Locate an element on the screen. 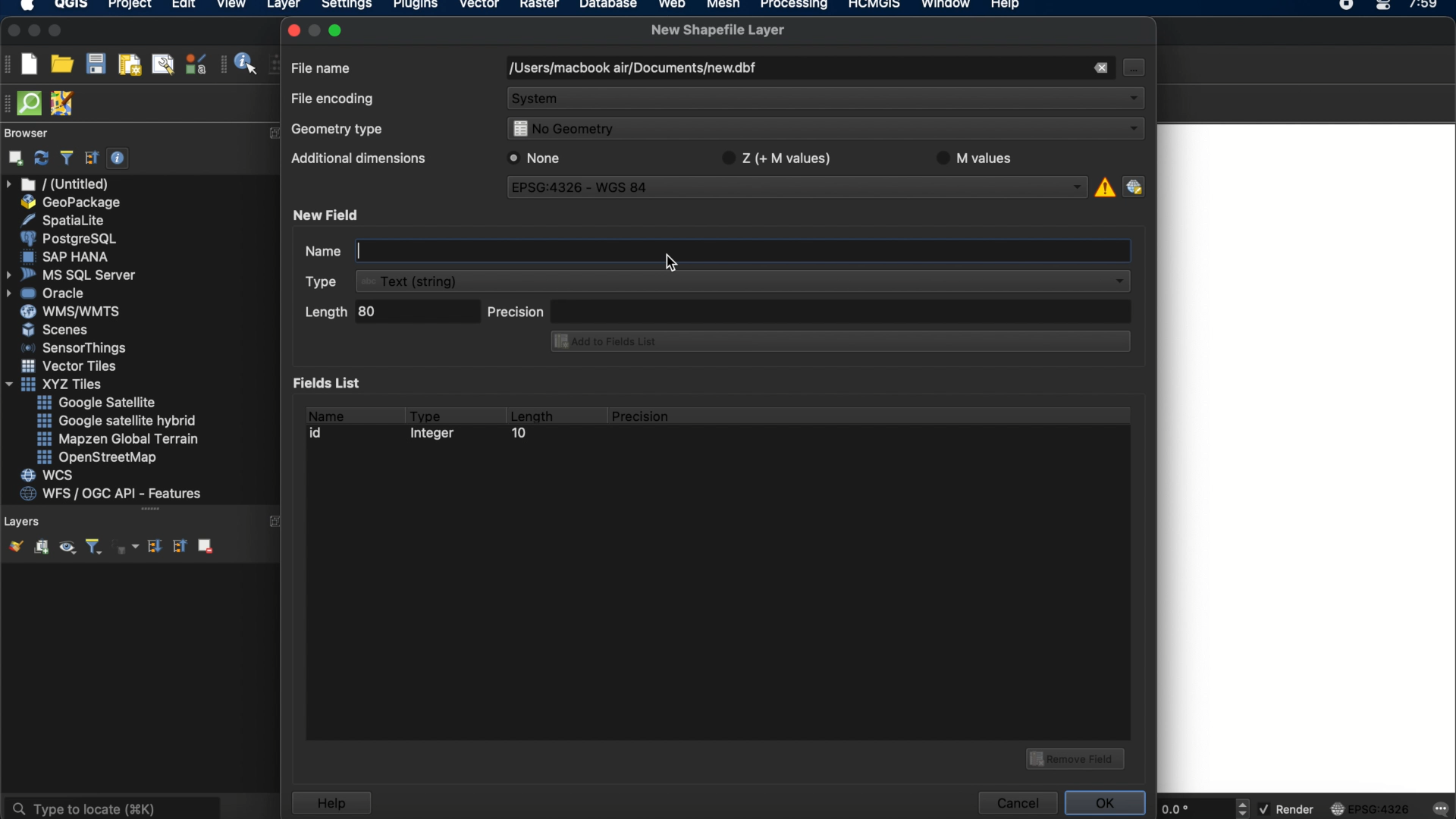 This screenshot has height=819, width=1456. ok is located at coordinates (1107, 801).